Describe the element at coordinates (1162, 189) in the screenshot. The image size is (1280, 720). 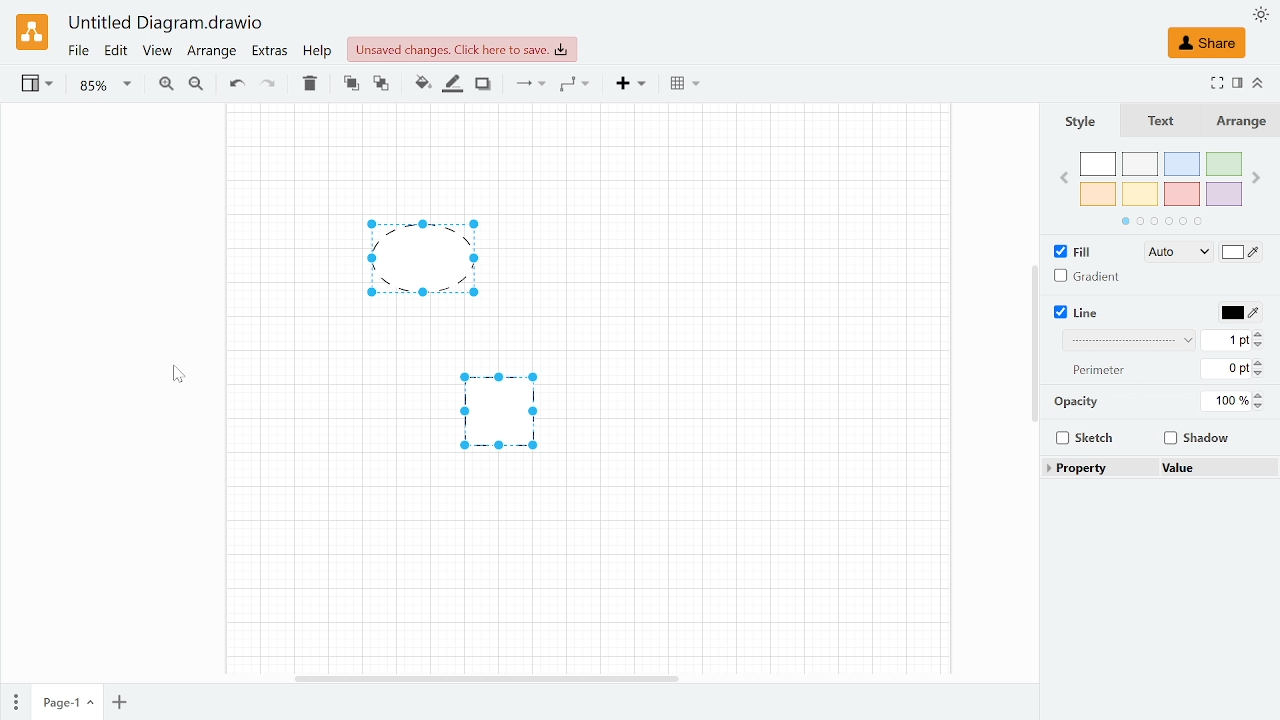
I see `Colors` at that location.